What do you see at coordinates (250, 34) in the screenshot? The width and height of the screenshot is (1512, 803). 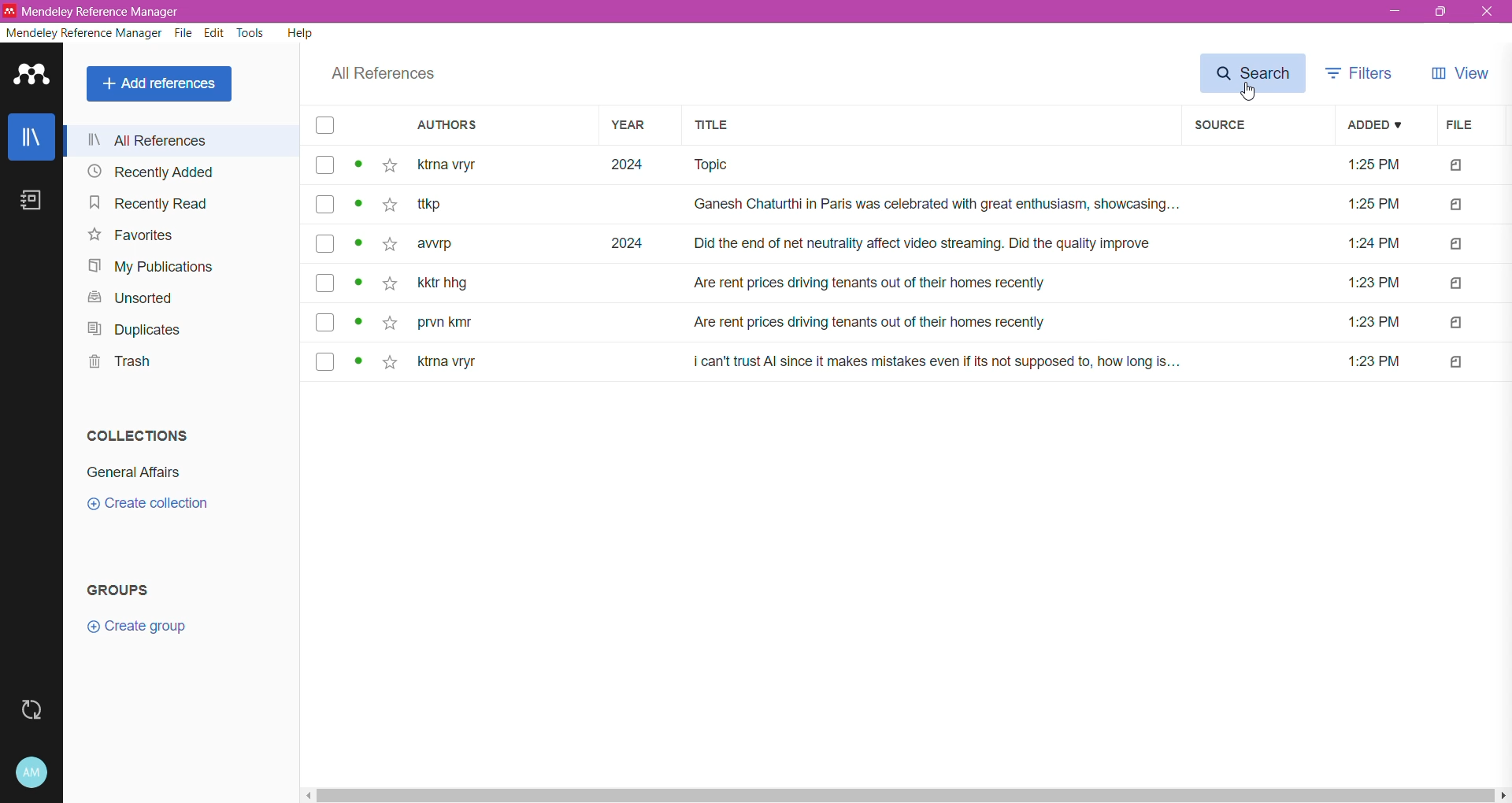 I see `Tools` at bounding box center [250, 34].